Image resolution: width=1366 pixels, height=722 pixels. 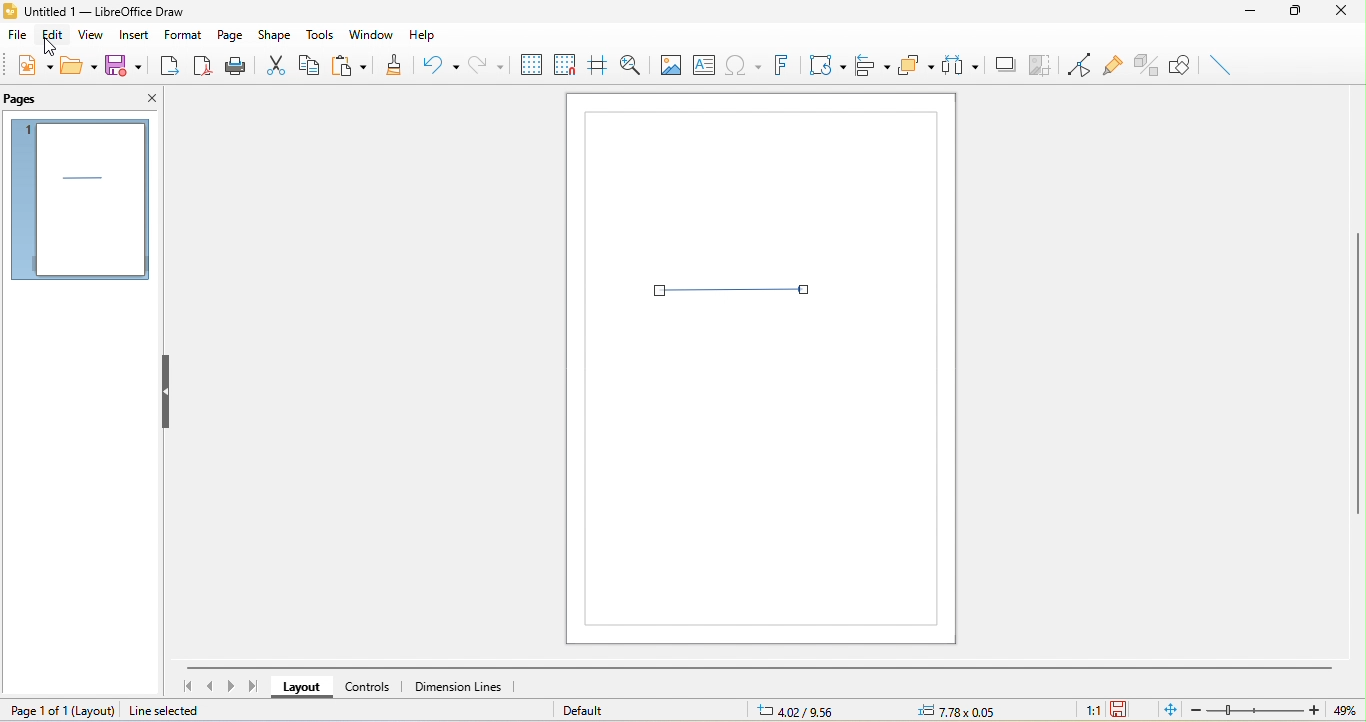 I want to click on transformation, so click(x=825, y=66).